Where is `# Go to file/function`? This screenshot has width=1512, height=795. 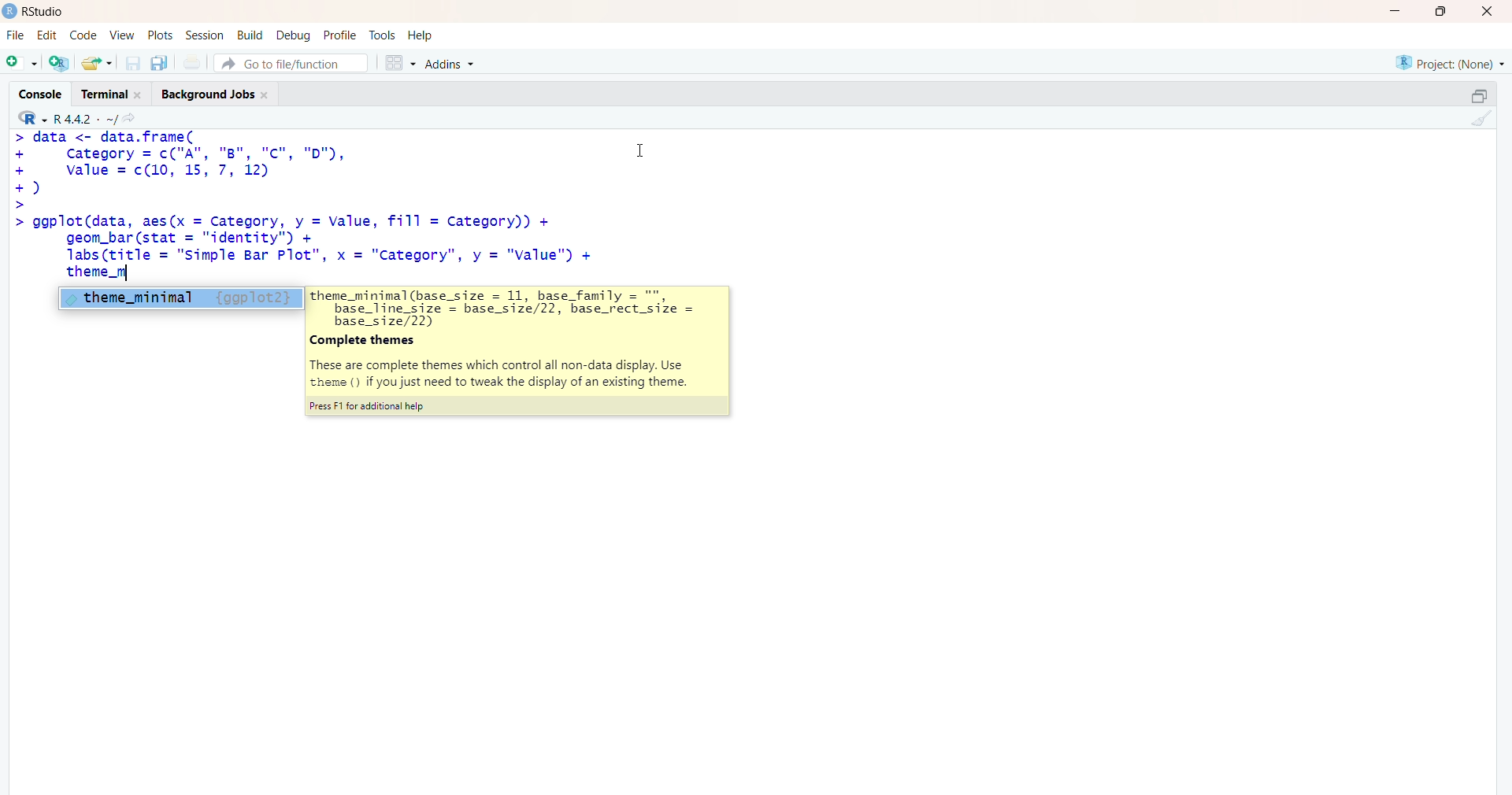
# Go to file/function is located at coordinates (291, 63).